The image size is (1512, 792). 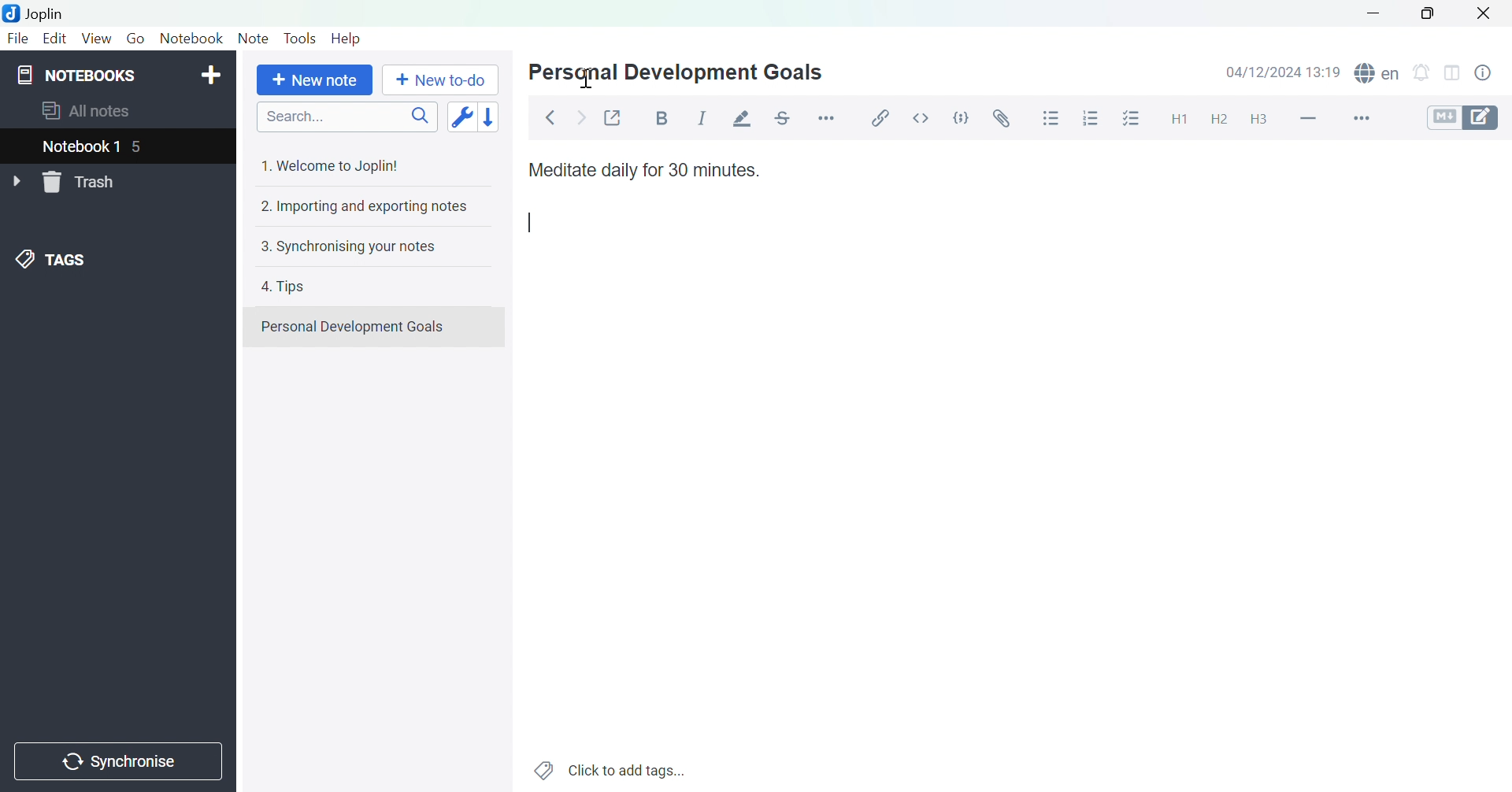 I want to click on nOTEBOOK 1, so click(x=83, y=146).